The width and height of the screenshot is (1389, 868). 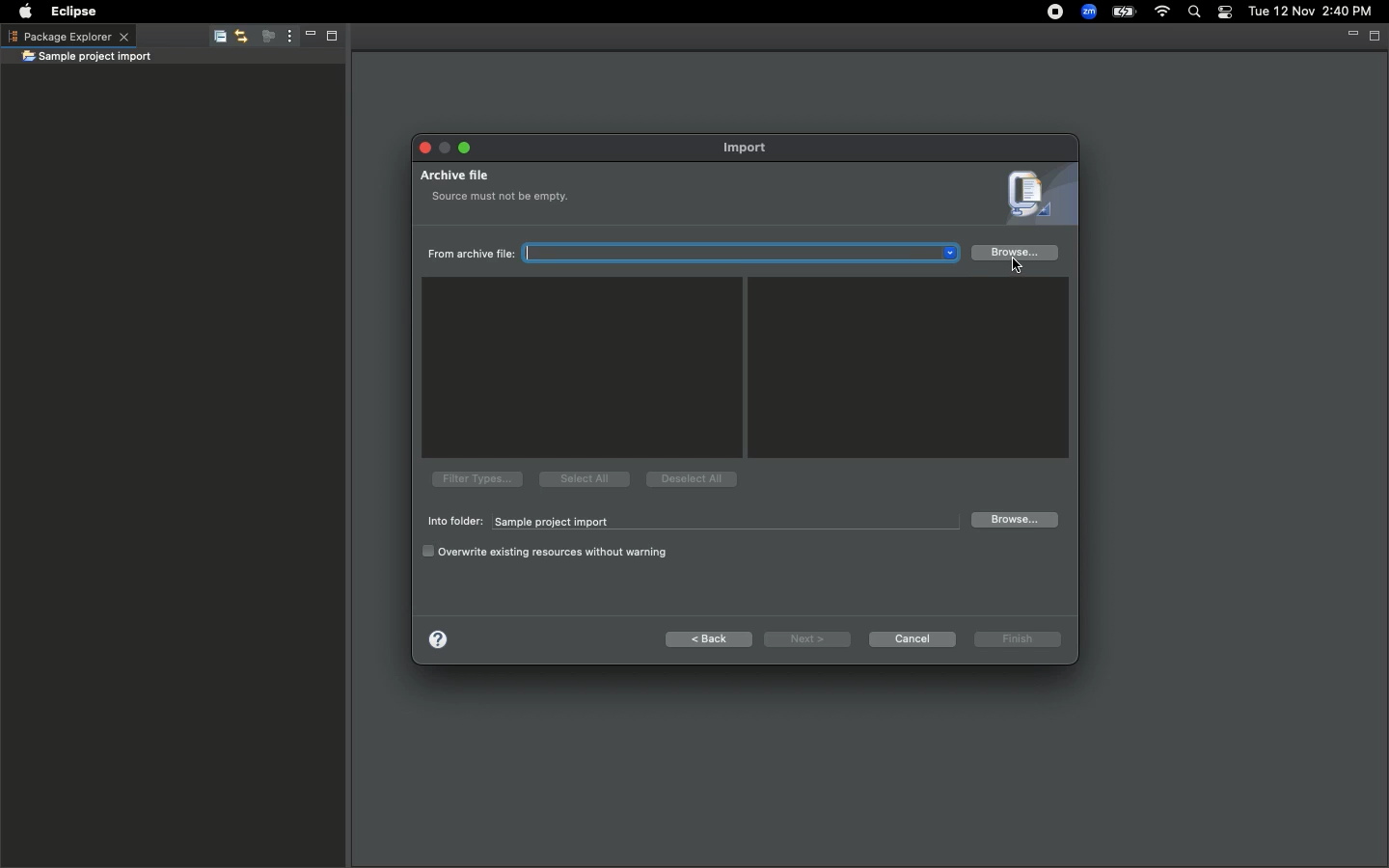 What do you see at coordinates (1310, 12) in the screenshot?
I see `Tue 12 Nov 2:40 PM` at bounding box center [1310, 12].